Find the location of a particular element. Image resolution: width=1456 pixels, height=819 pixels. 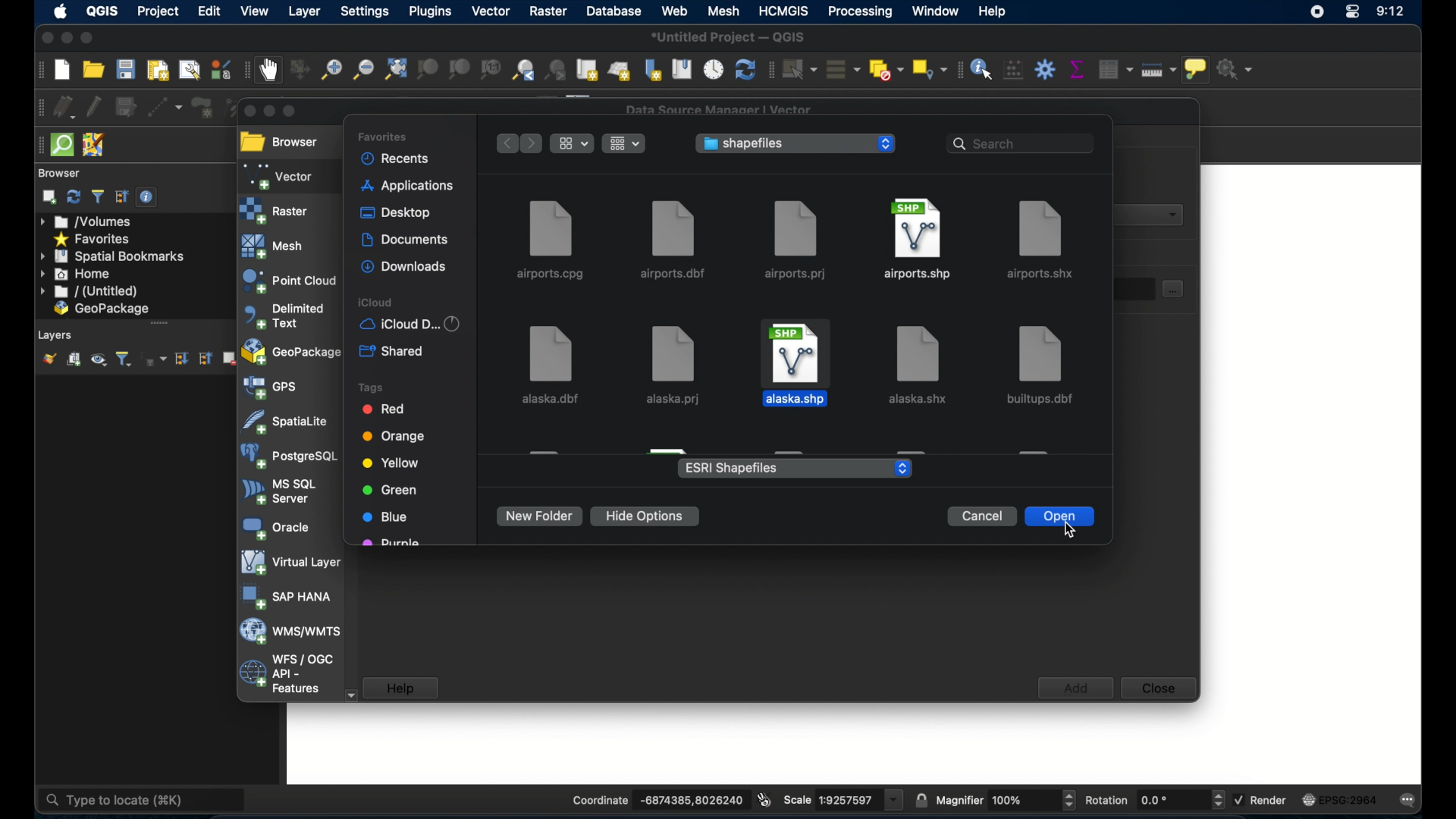

rotation is located at coordinates (1155, 800).